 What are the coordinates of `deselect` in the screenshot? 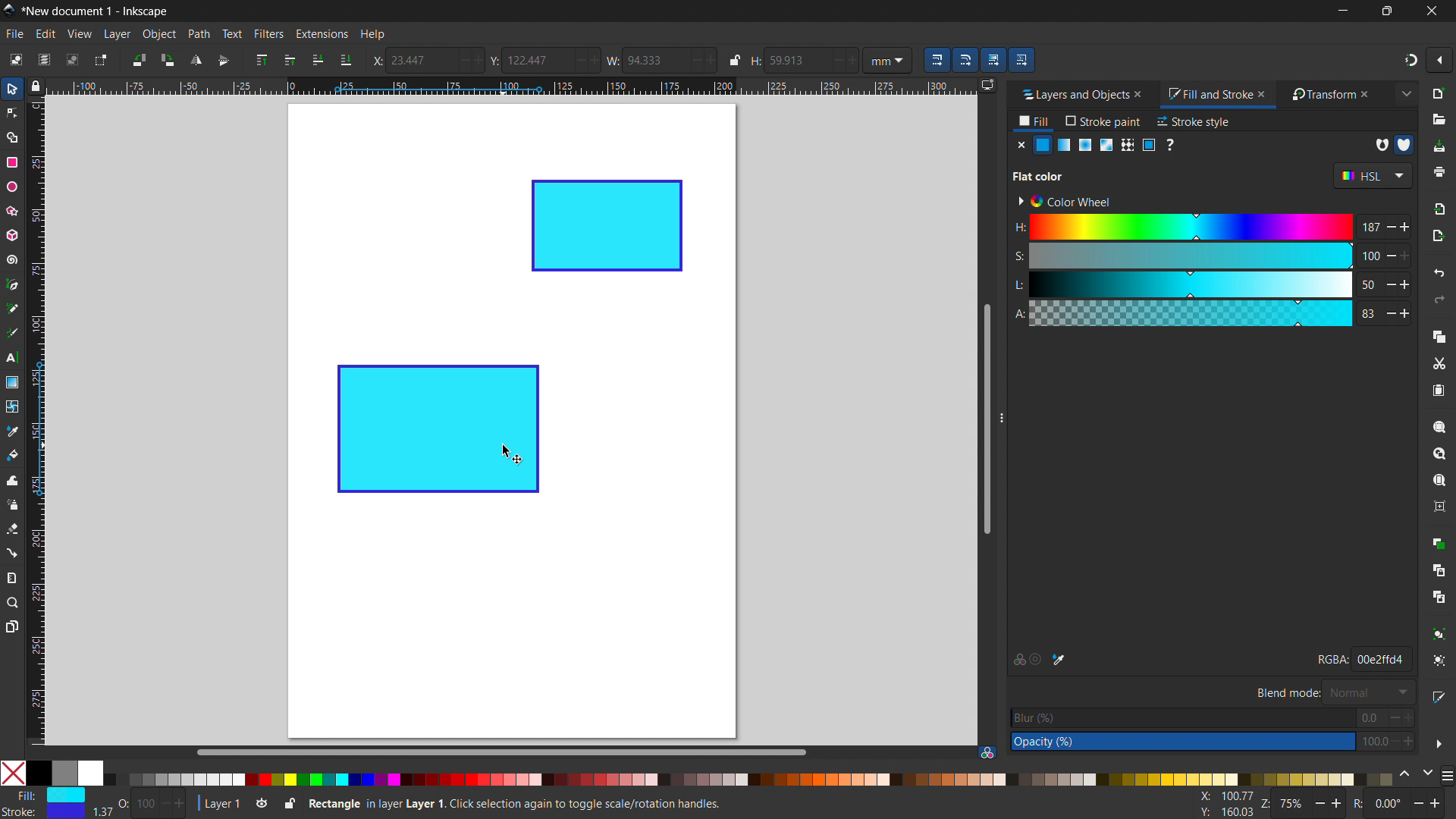 It's located at (73, 59).